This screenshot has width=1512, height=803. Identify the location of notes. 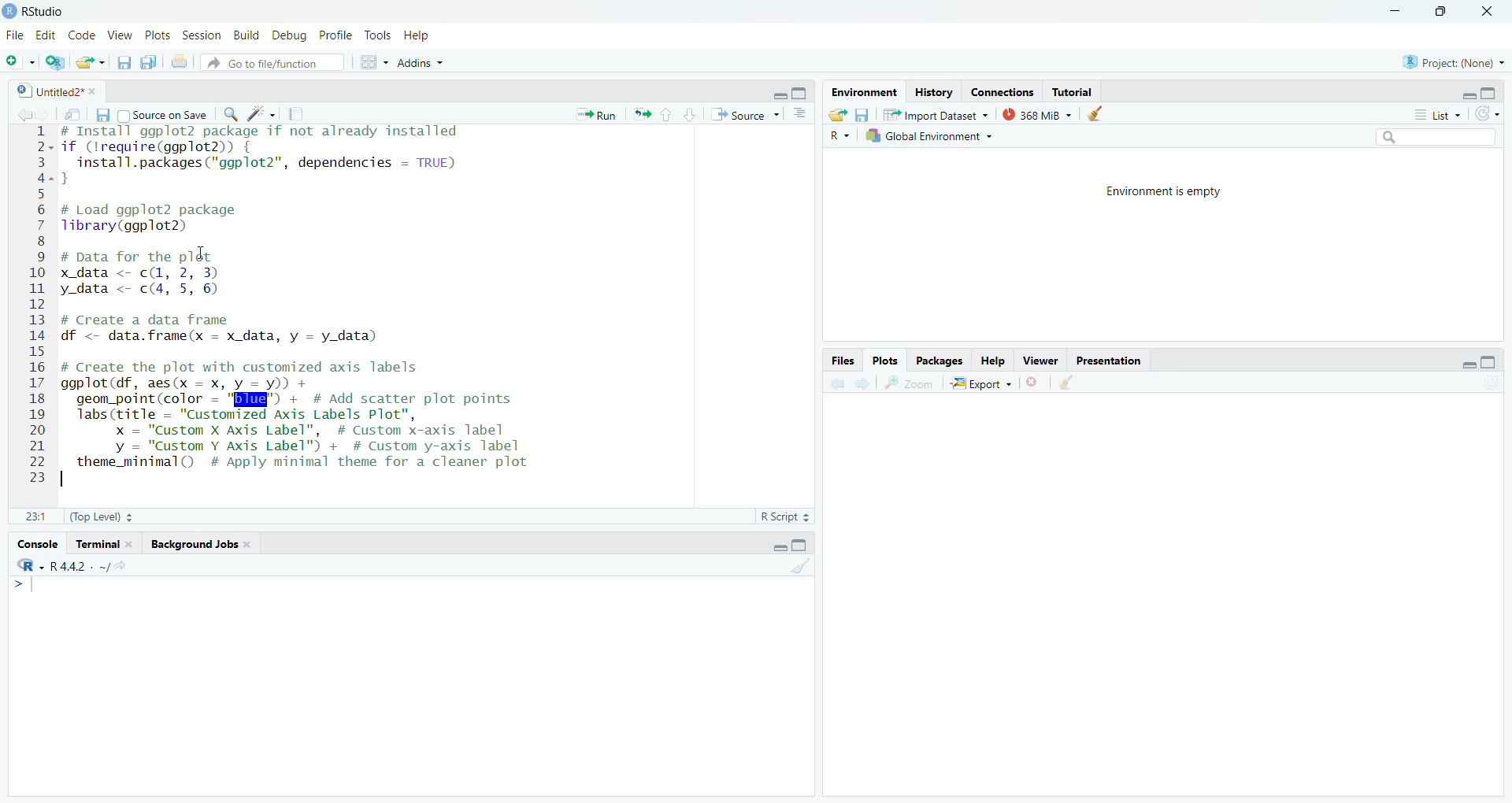
(299, 114).